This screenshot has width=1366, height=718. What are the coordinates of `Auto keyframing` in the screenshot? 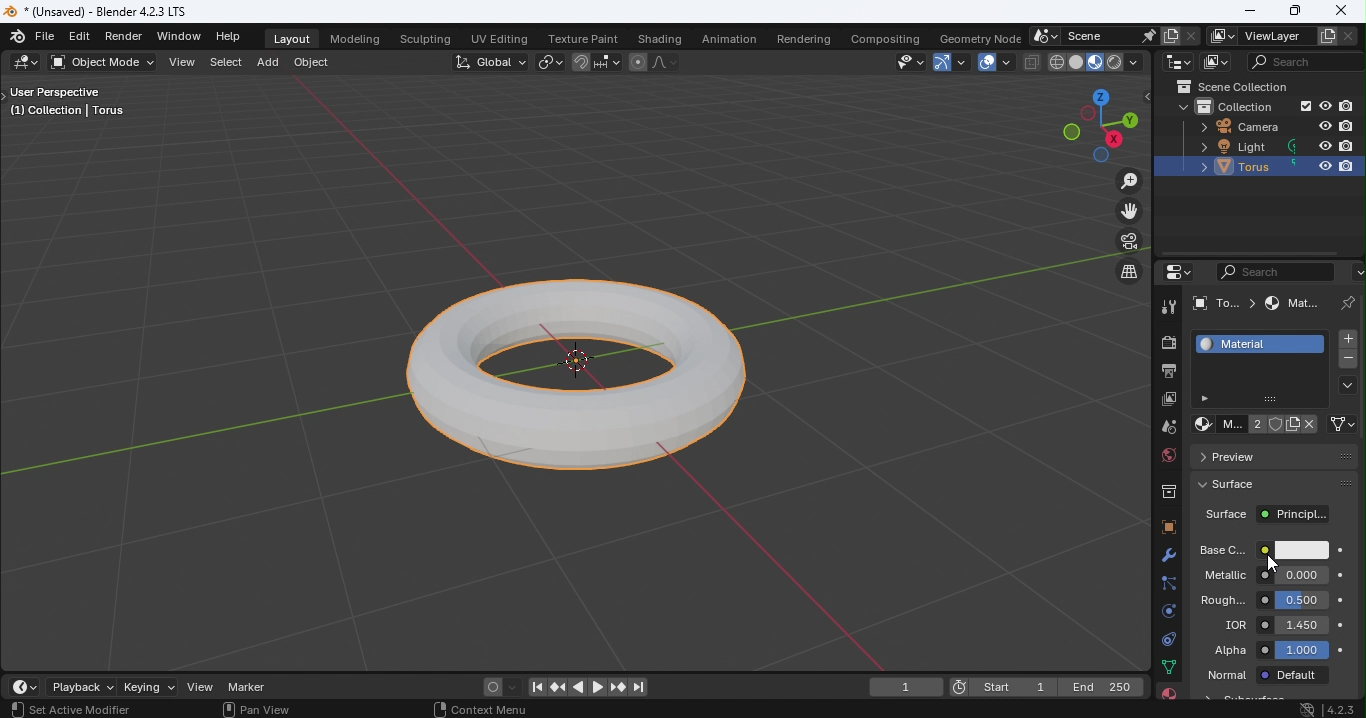 It's located at (499, 686).